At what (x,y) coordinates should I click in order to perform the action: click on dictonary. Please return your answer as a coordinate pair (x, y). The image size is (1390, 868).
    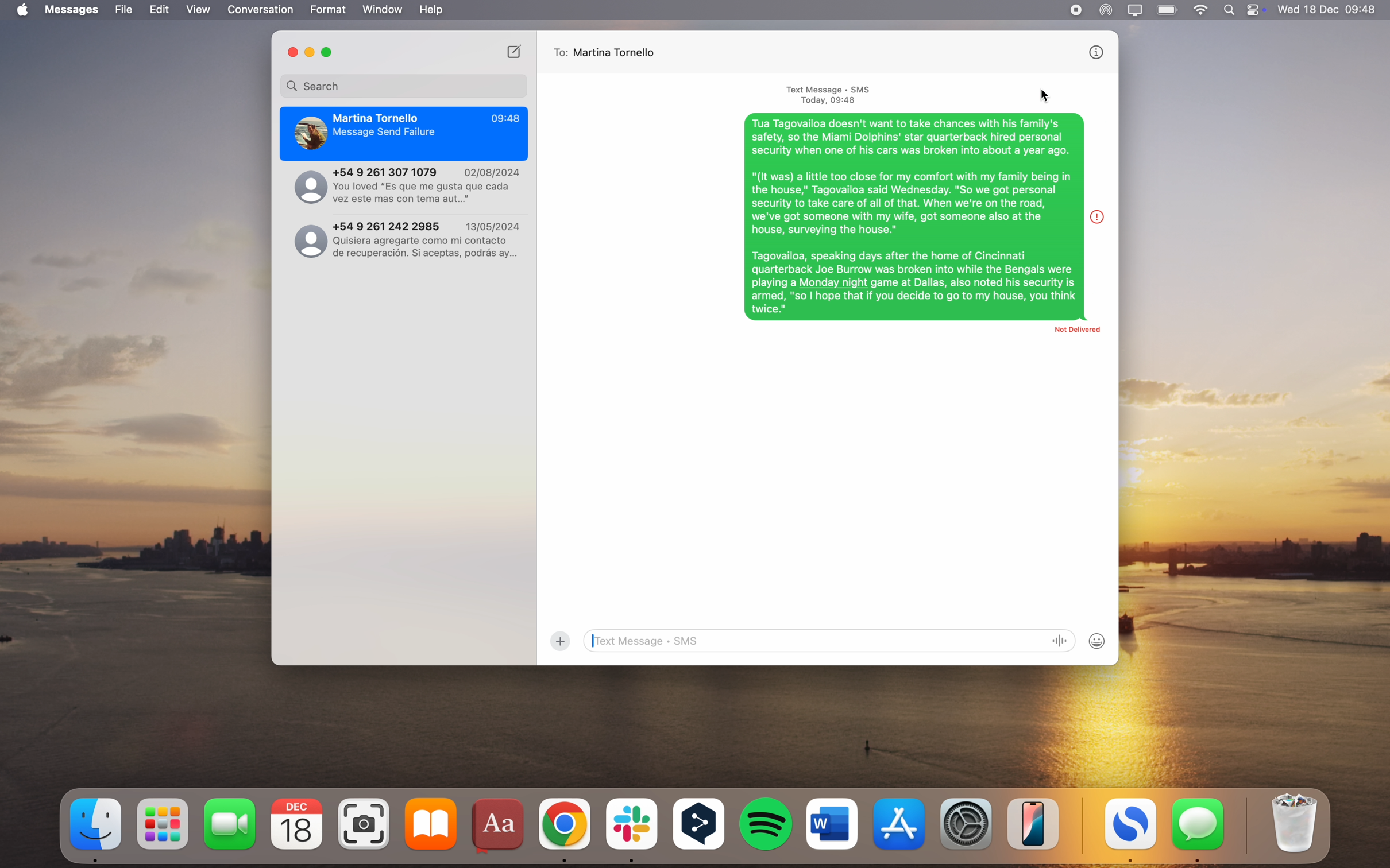
    Looking at the image, I should click on (500, 827).